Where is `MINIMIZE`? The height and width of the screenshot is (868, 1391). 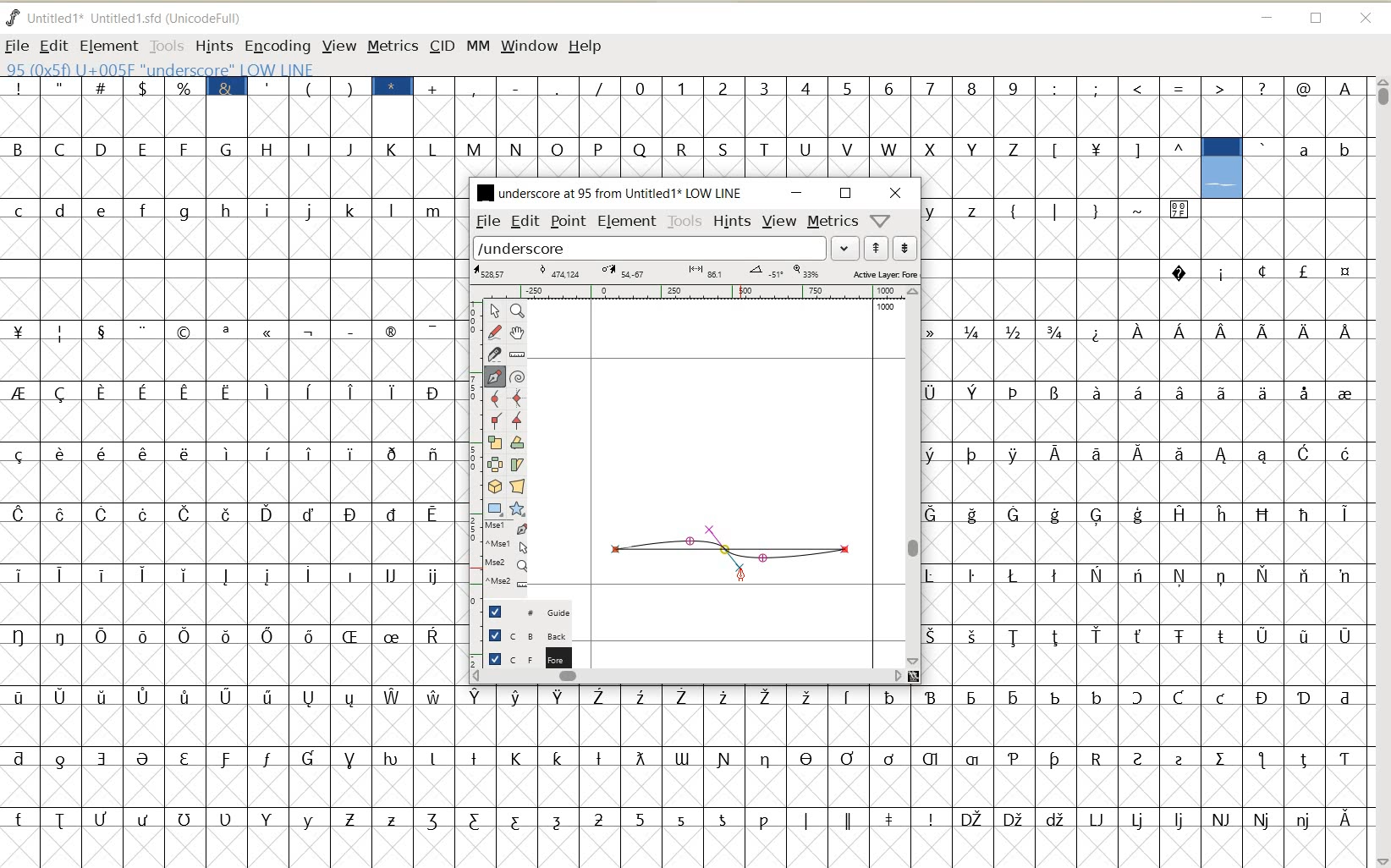 MINIMIZE is located at coordinates (1266, 15).